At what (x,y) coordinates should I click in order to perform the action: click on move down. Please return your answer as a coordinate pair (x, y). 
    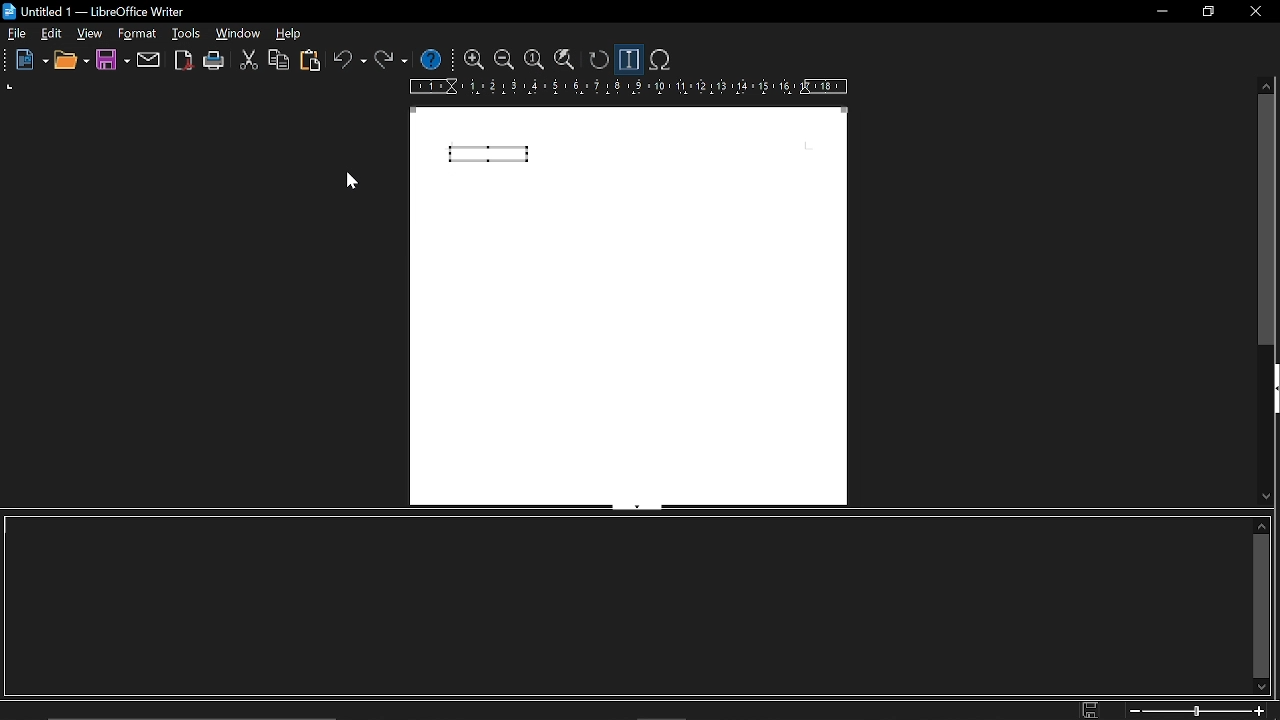
    Looking at the image, I should click on (1262, 686).